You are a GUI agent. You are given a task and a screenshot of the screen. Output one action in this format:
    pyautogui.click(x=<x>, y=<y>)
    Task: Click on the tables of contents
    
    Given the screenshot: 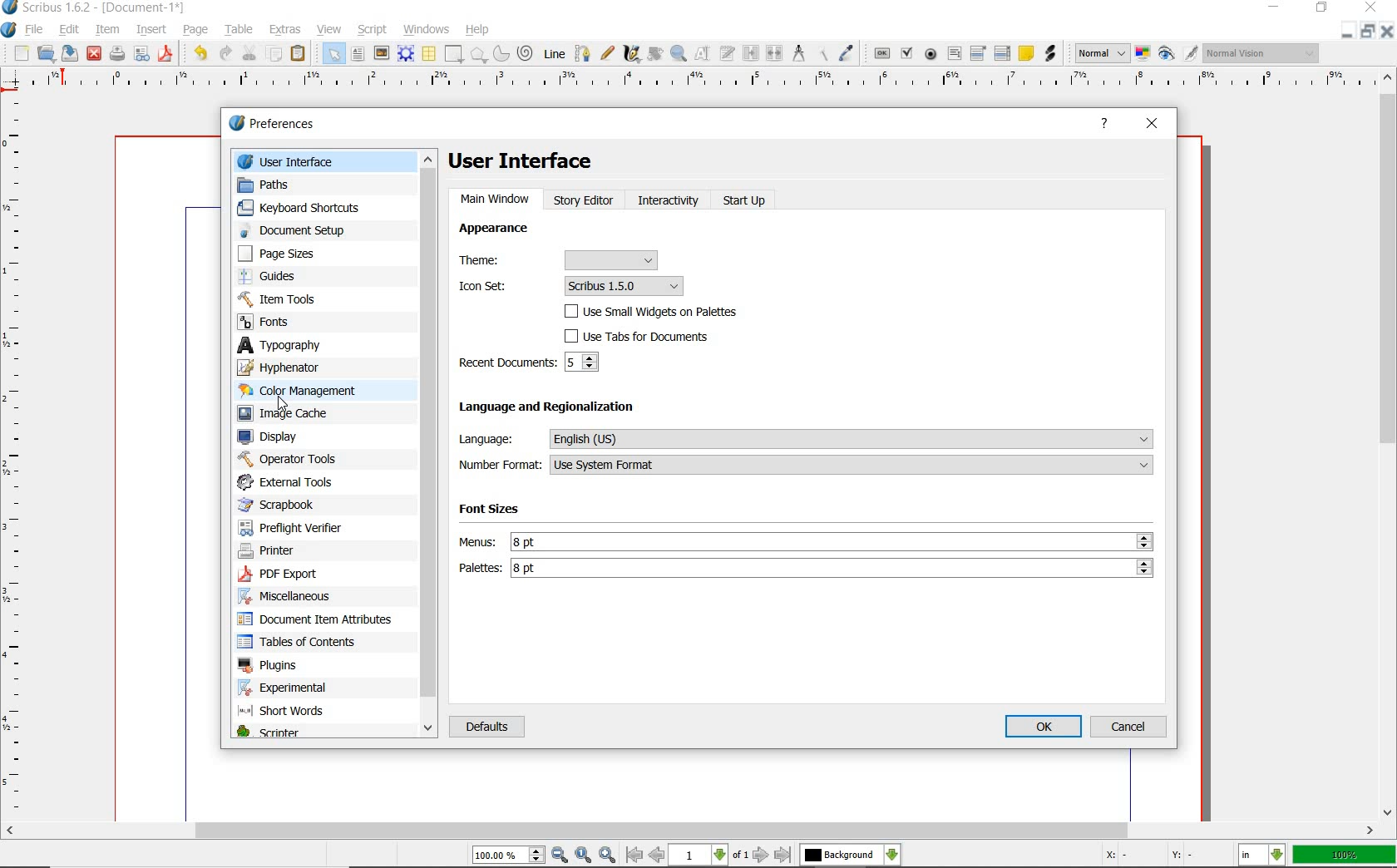 What is the action you would take?
    pyautogui.click(x=310, y=642)
    